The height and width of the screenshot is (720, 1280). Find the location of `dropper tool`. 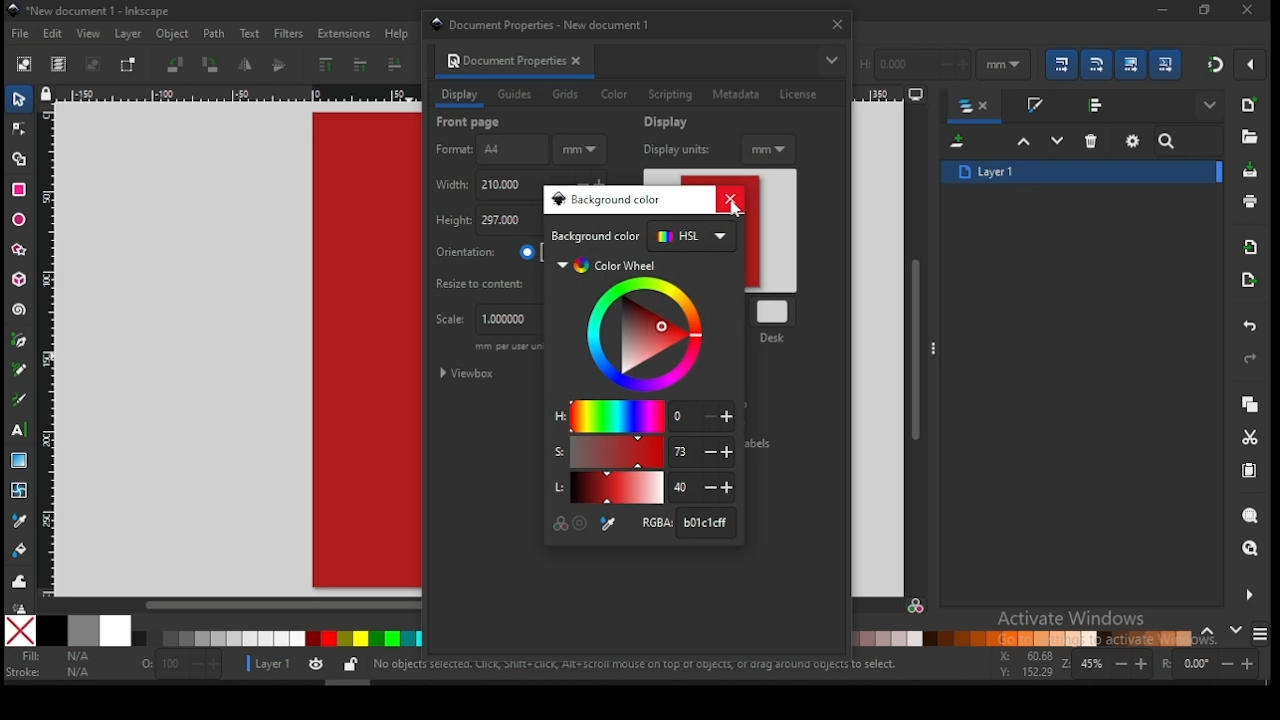

dropper tool is located at coordinates (20, 519).